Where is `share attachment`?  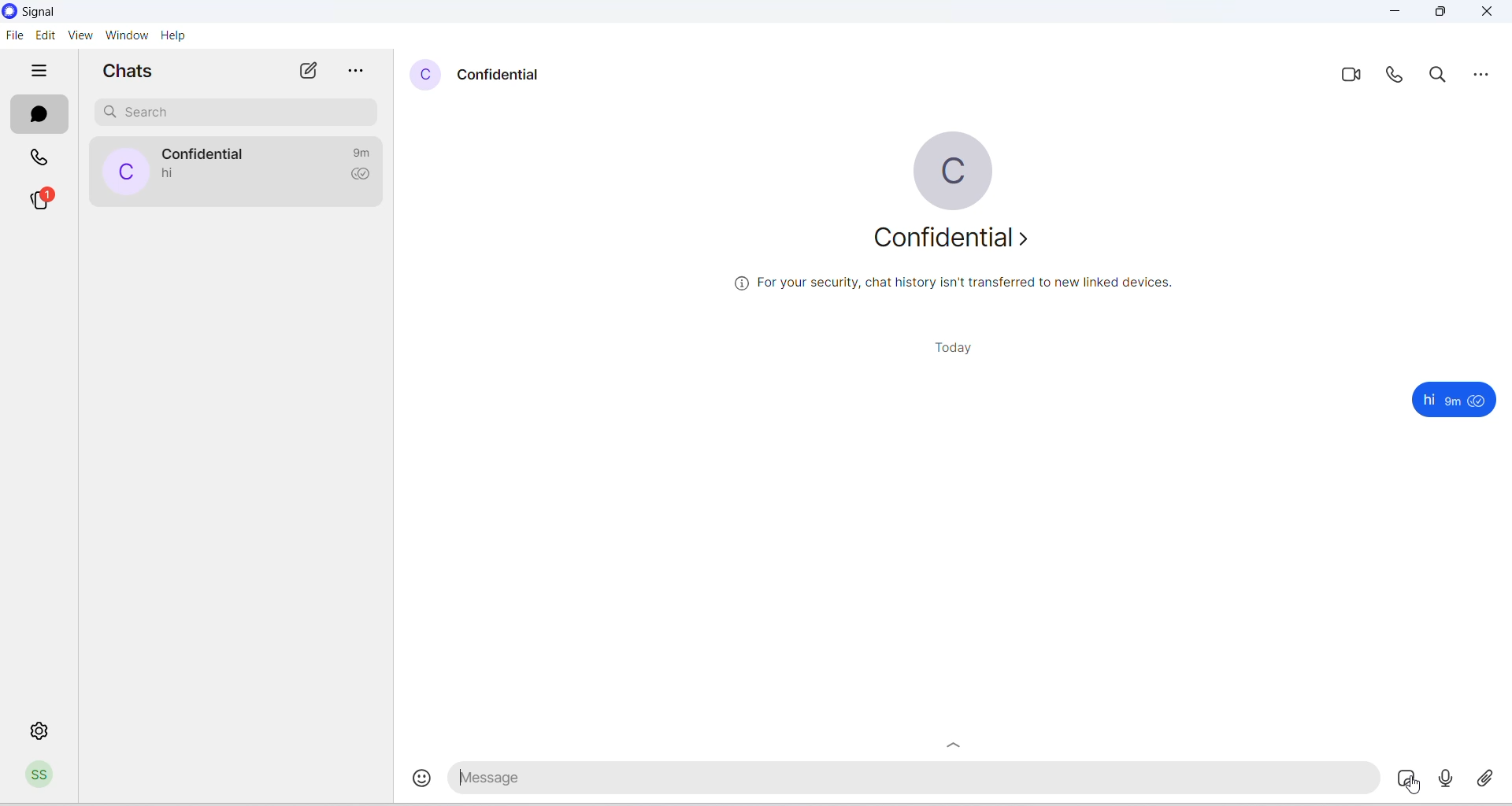 share attachment is located at coordinates (1490, 776).